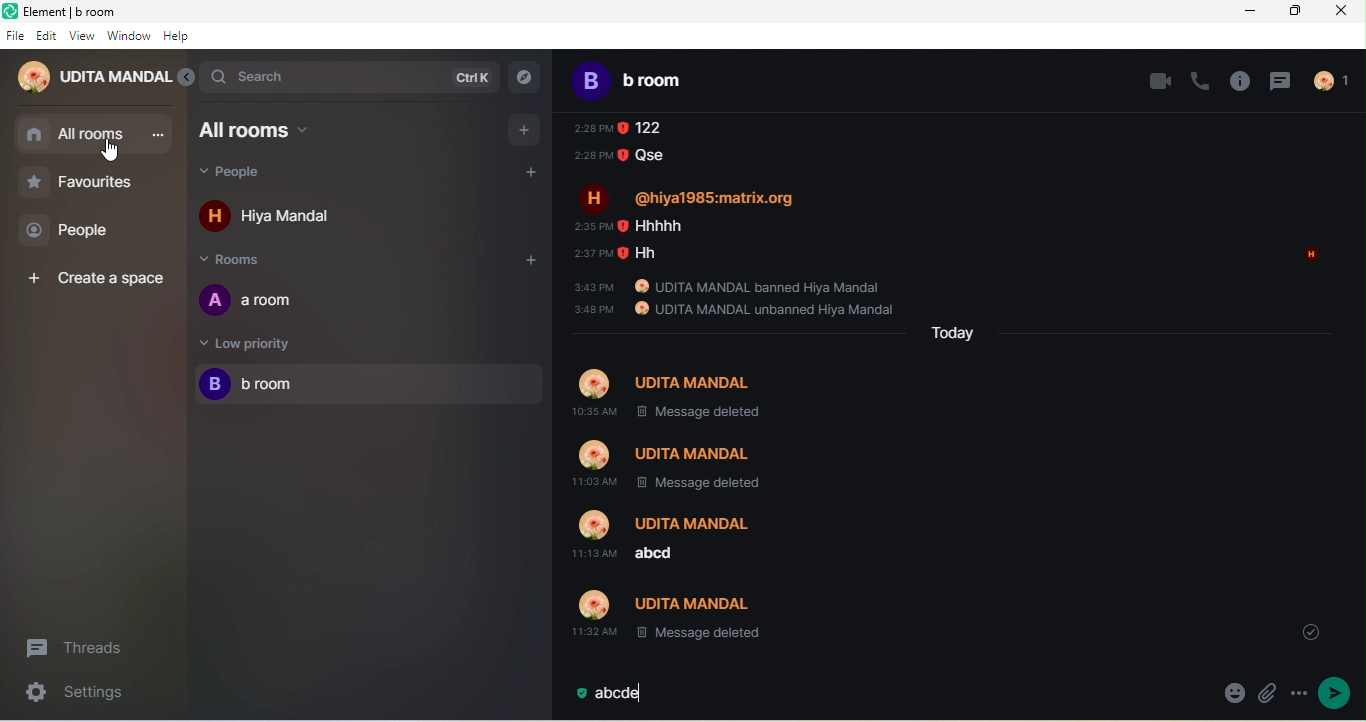 This screenshot has height=722, width=1366. What do you see at coordinates (1232, 694) in the screenshot?
I see `emoji` at bounding box center [1232, 694].